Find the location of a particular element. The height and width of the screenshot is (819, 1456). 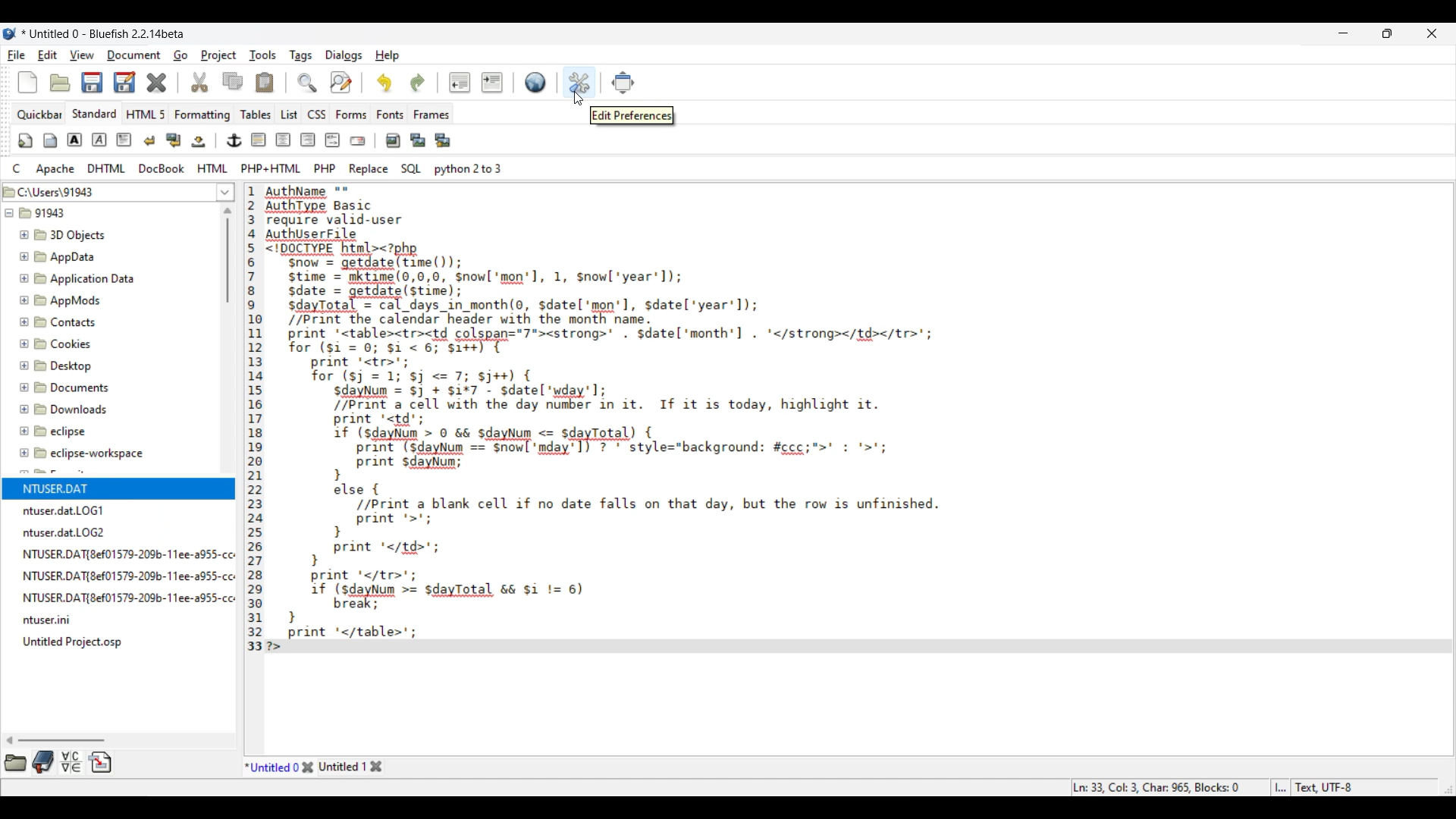

Frames is located at coordinates (432, 115).